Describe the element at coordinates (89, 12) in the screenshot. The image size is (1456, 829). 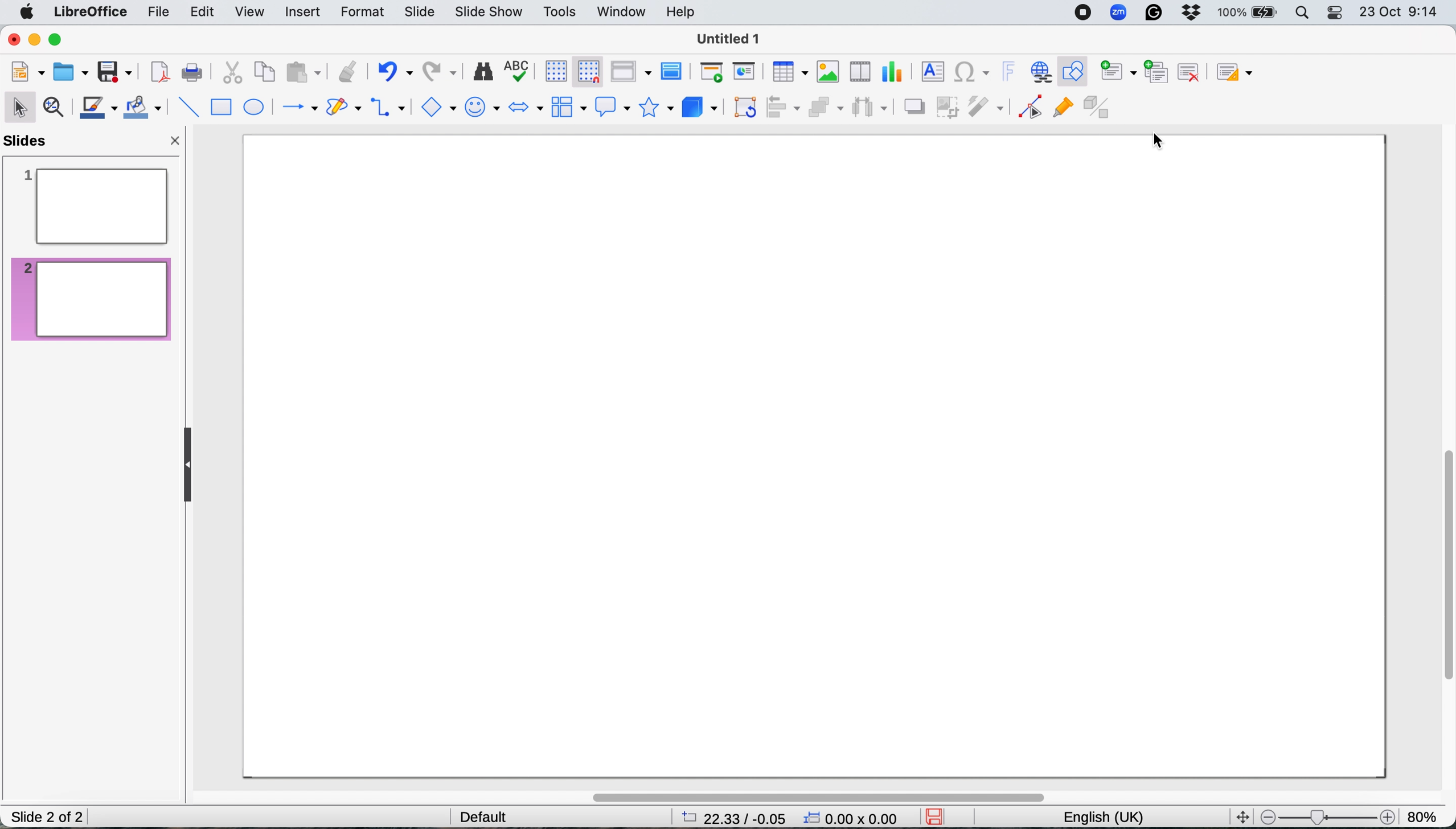
I see `libreoffice` at that location.